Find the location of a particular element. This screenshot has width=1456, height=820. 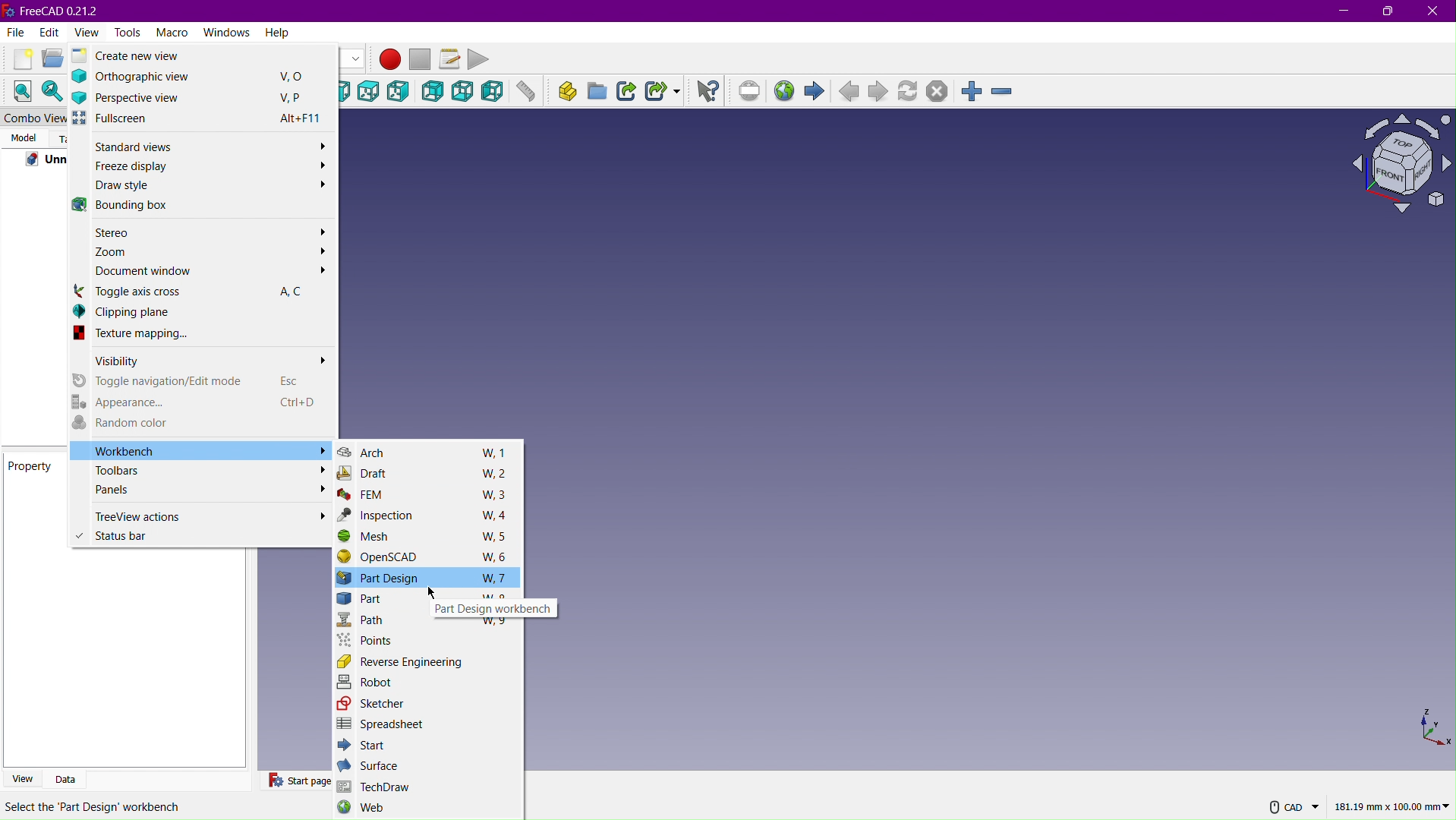

Workbench is located at coordinates (197, 449).